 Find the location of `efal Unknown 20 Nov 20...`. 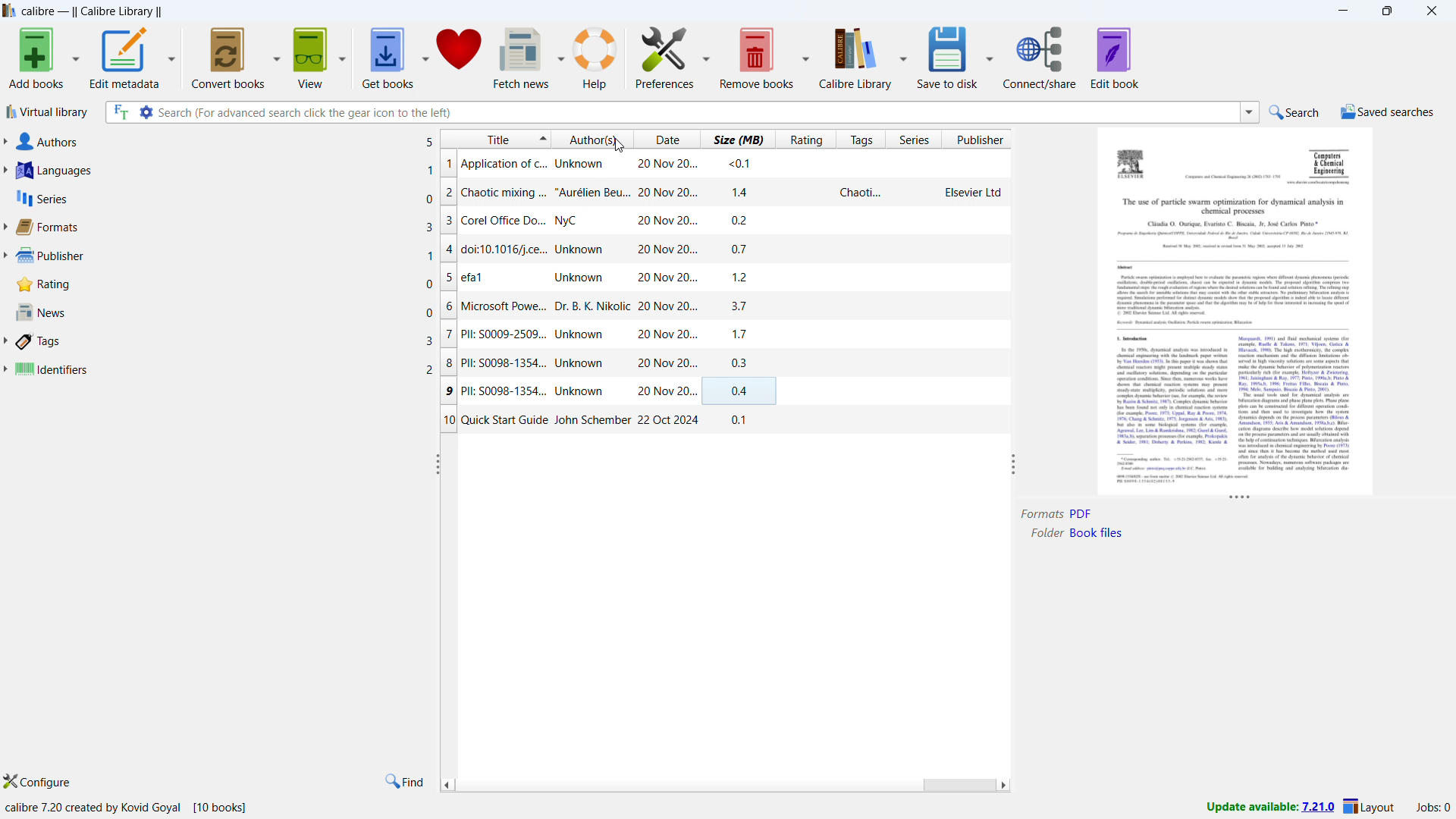

efal Unknown 20 Nov 20... is located at coordinates (585, 277).